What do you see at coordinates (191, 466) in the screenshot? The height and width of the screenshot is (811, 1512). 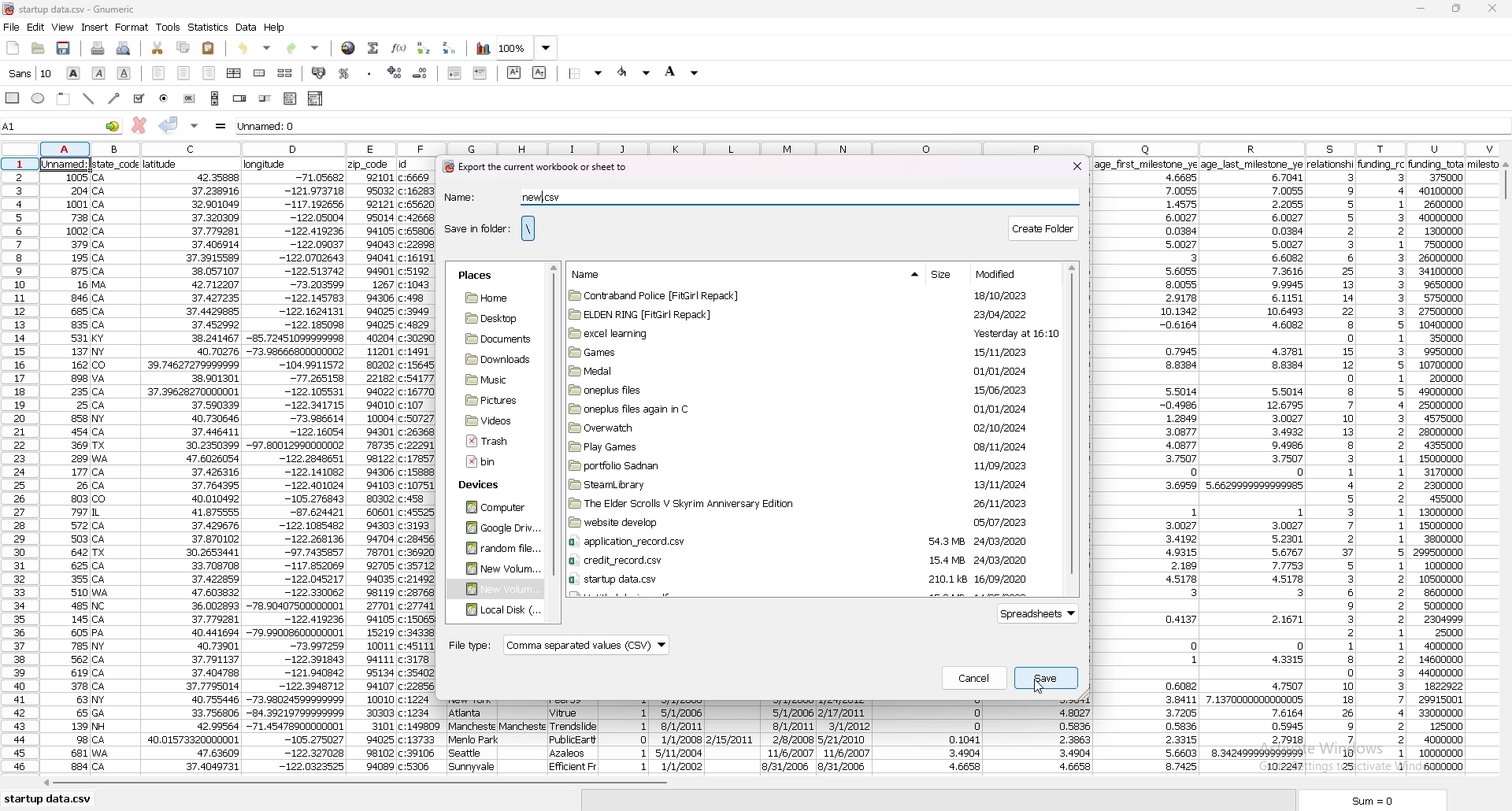 I see `data` at bounding box center [191, 466].